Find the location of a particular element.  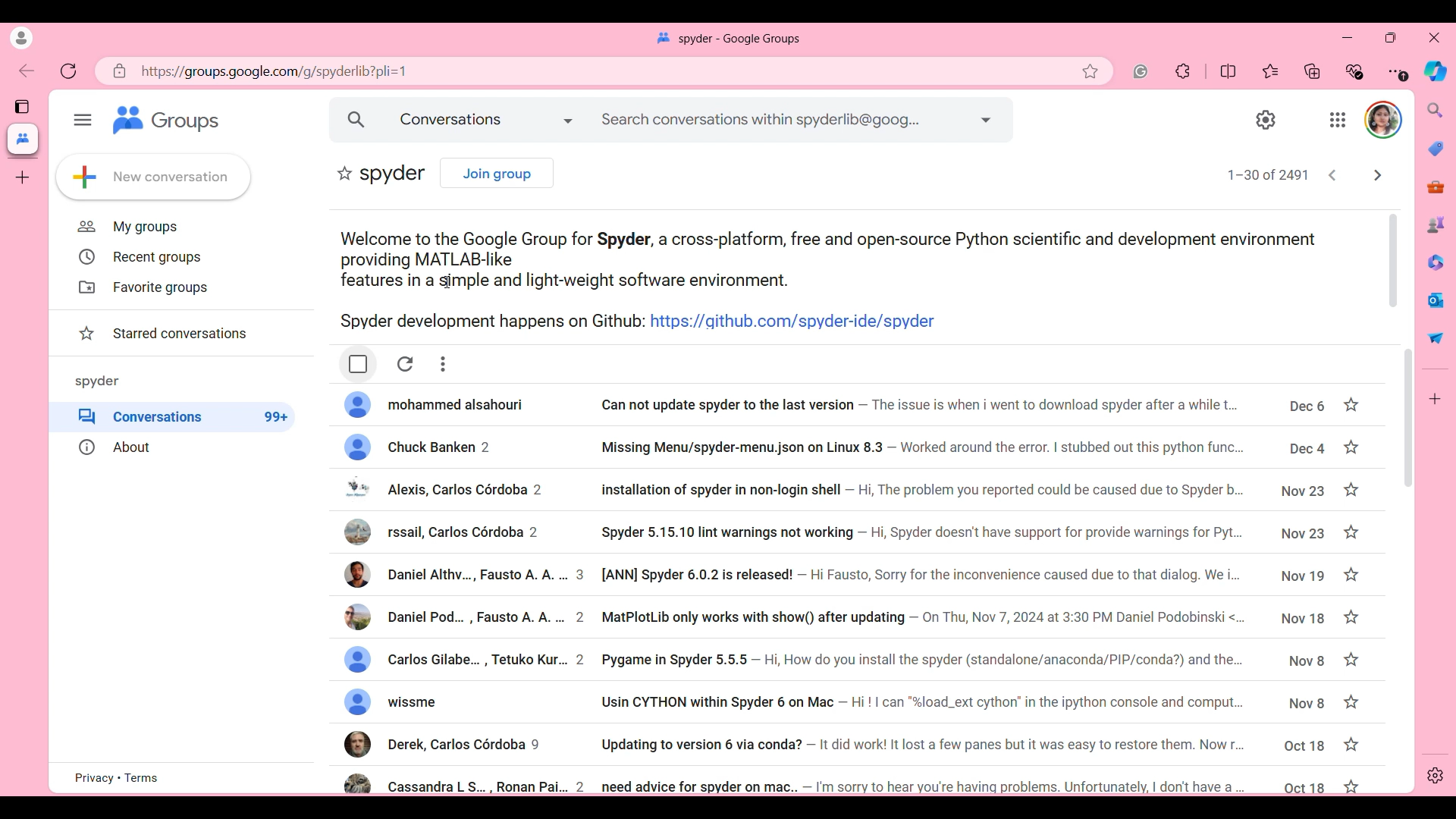

Star current page is located at coordinates (1090, 71).